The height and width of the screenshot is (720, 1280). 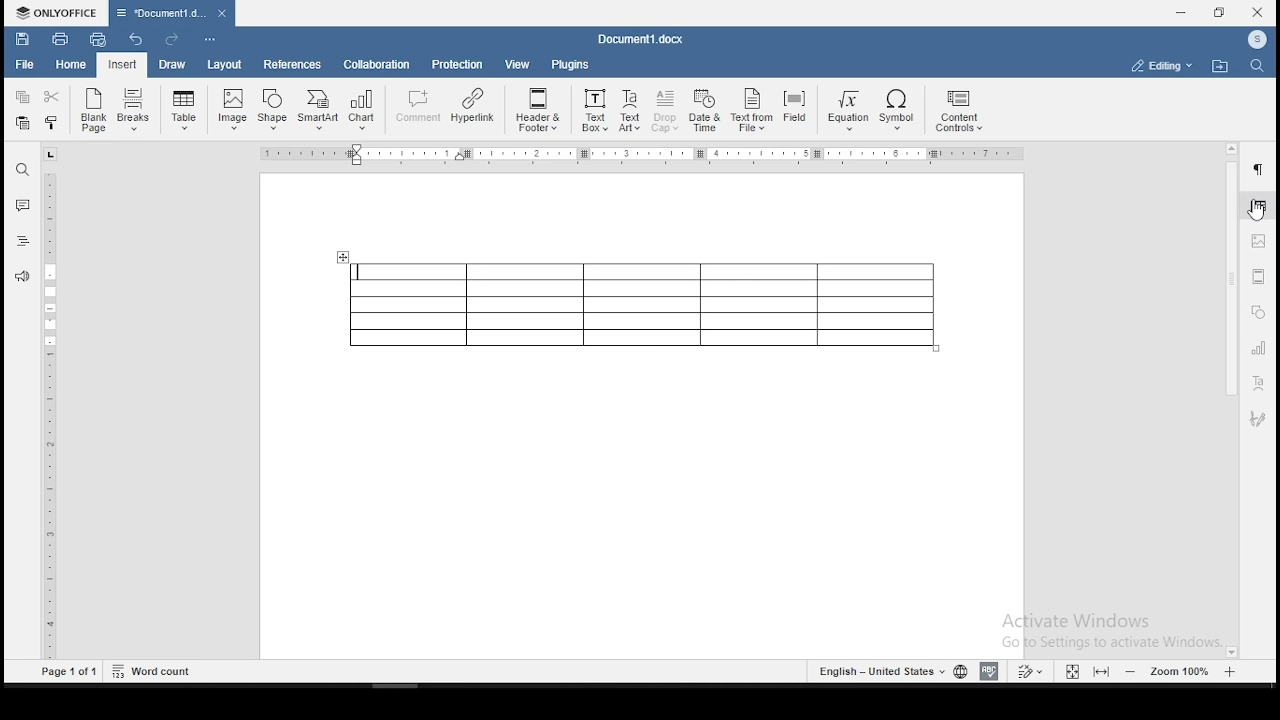 I want to click on Field, so click(x=794, y=108).